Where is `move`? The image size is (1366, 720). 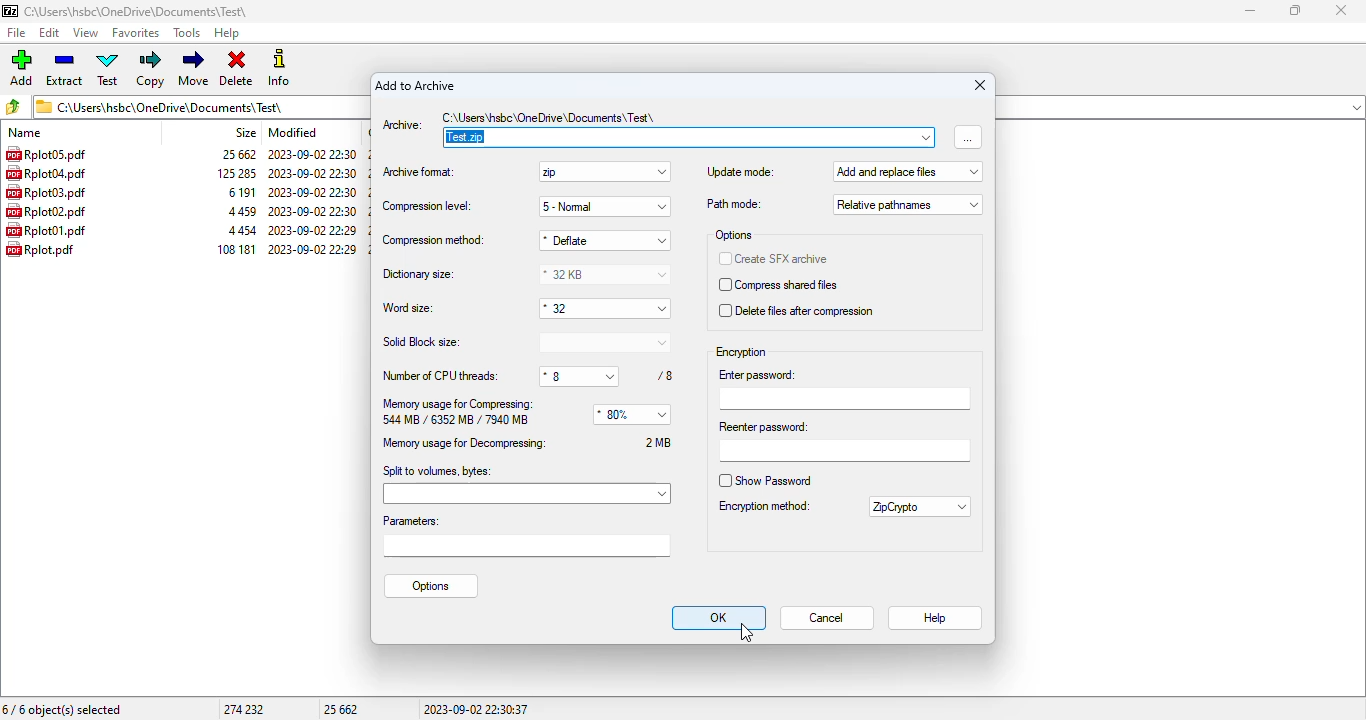 move is located at coordinates (195, 68).